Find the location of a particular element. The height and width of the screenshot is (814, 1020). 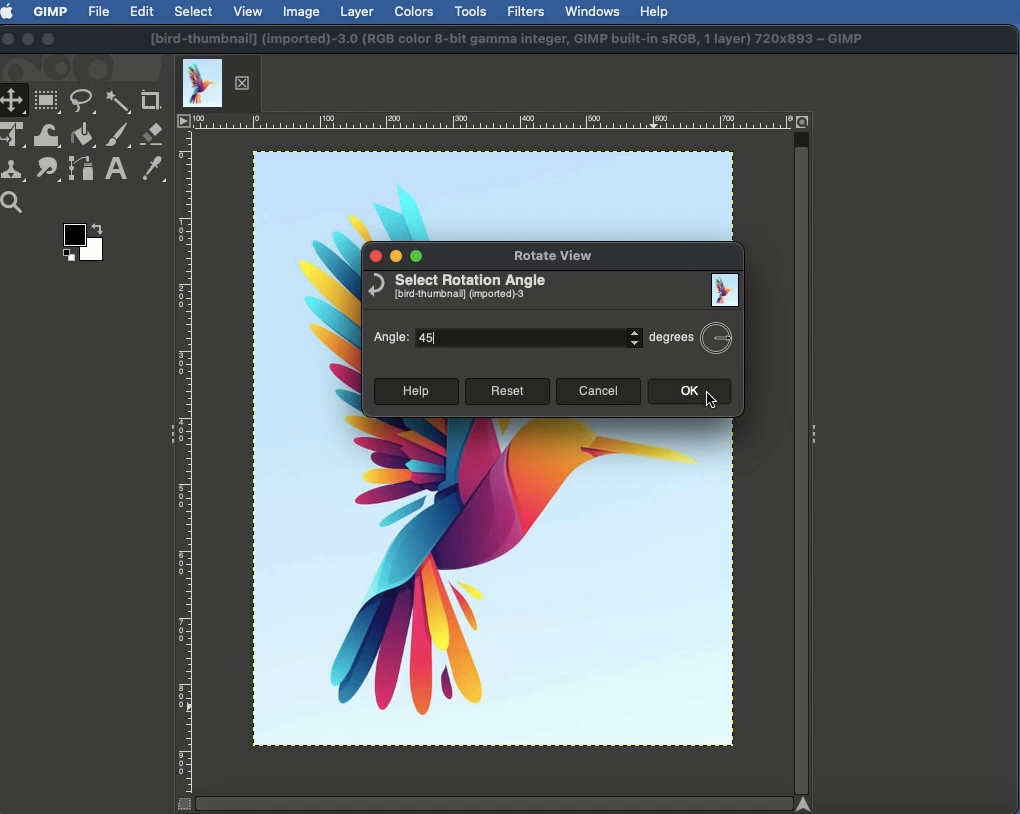

[bird-thumbnail] (imported)-3.0 (RGB color 8-bit gamma integer, GIMP built-in SRGB, 1 layer) 720x893 ~ GIMP. is located at coordinates (507, 40).